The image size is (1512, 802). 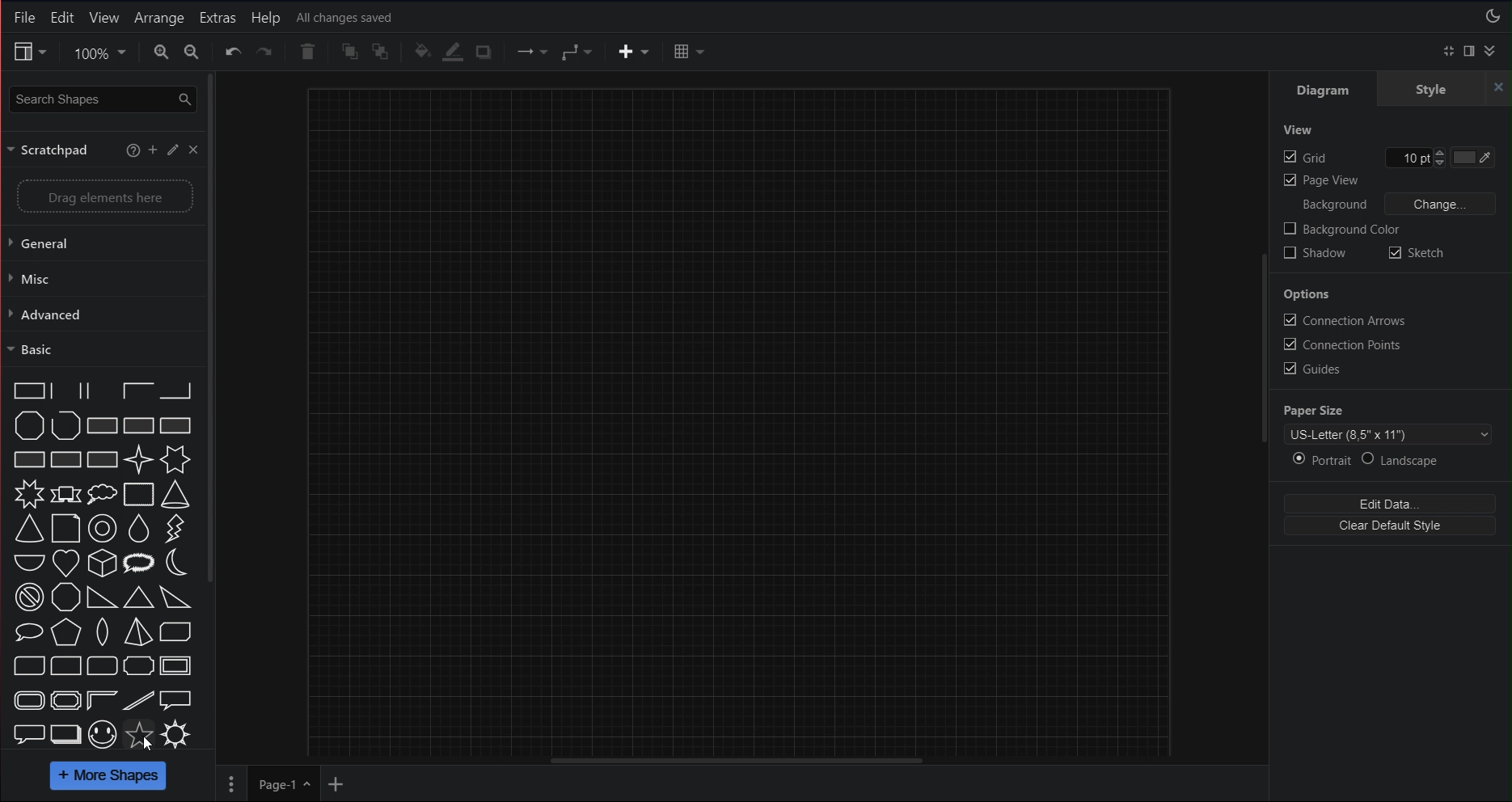 What do you see at coordinates (139, 597) in the screenshot?
I see `acute triangle` at bounding box center [139, 597].